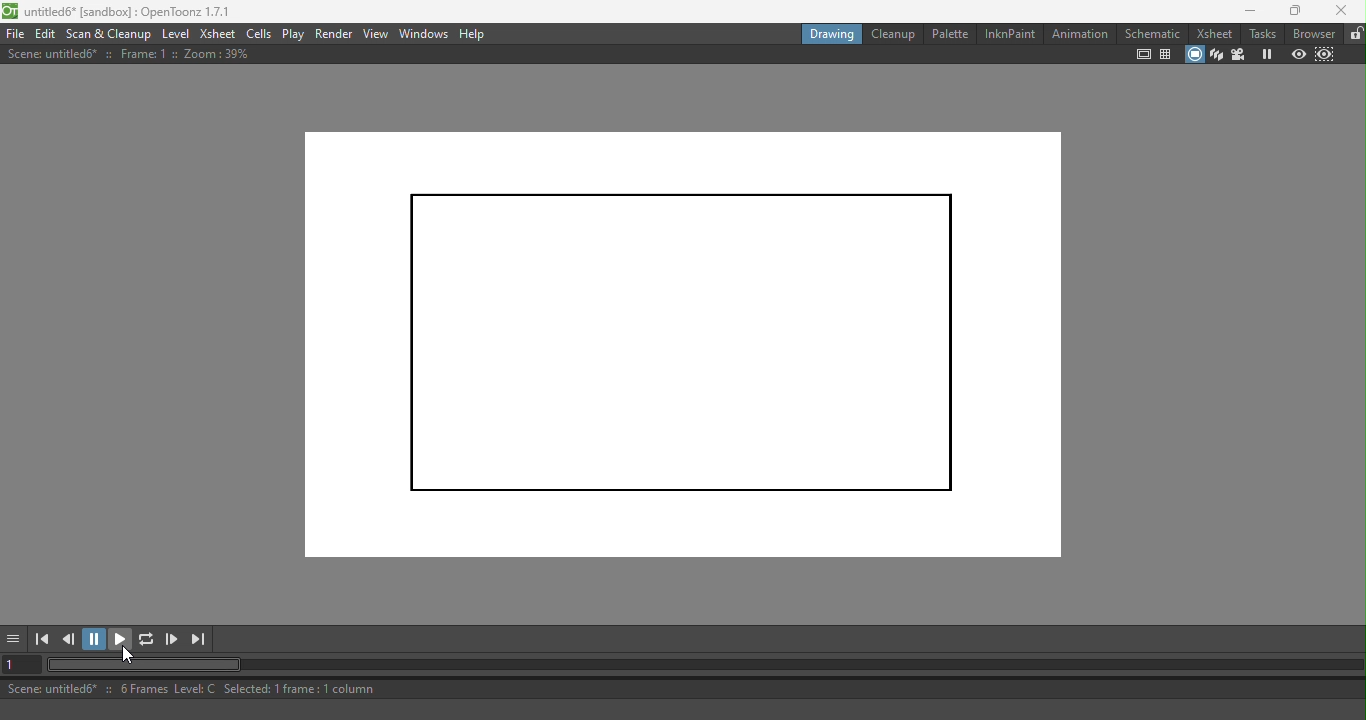  I want to click on Browser , so click(1312, 34).